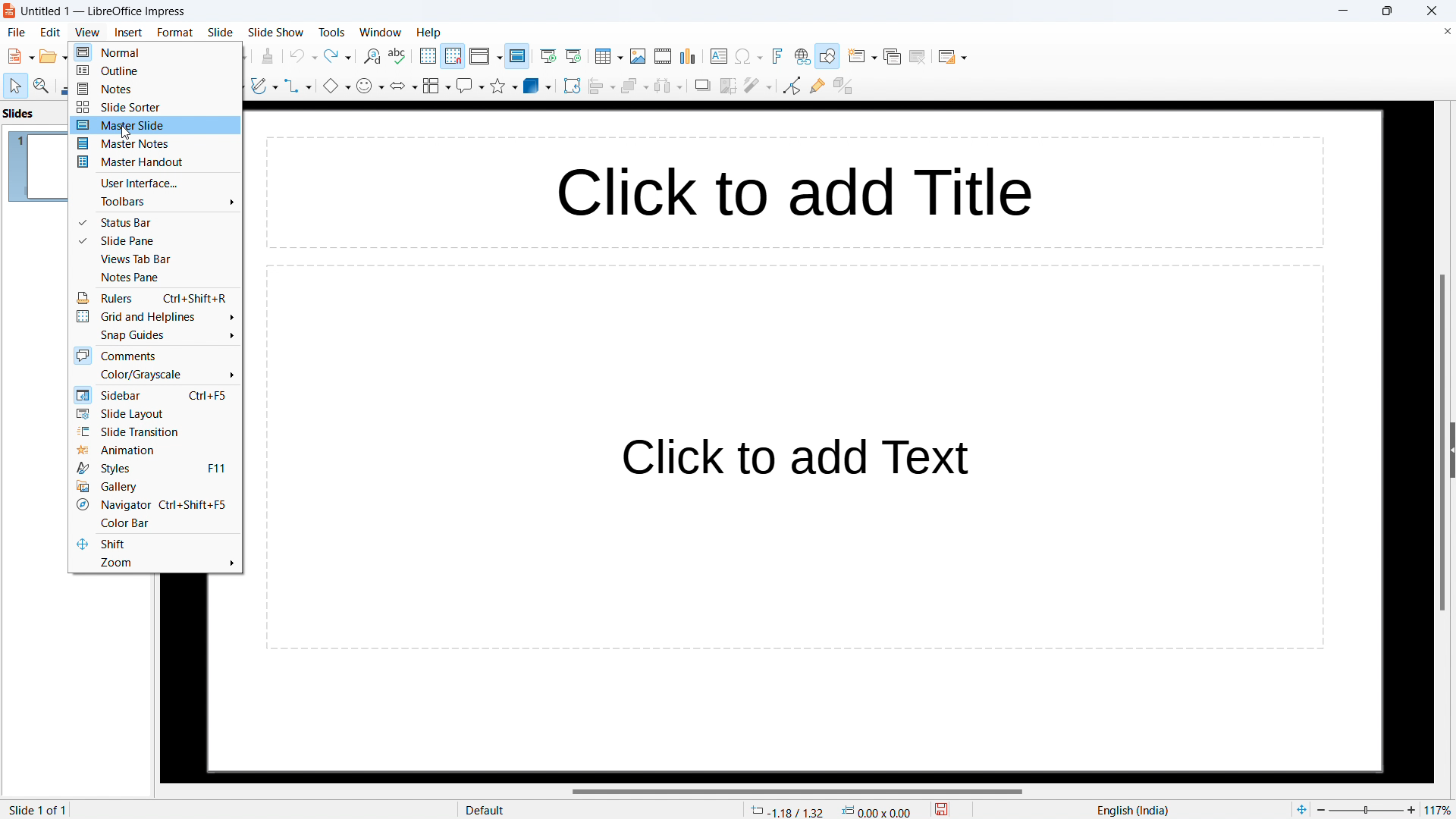 This screenshot has width=1456, height=819. What do you see at coordinates (802, 57) in the screenshot?
I see `insert link` at bounding box center [802, 57].